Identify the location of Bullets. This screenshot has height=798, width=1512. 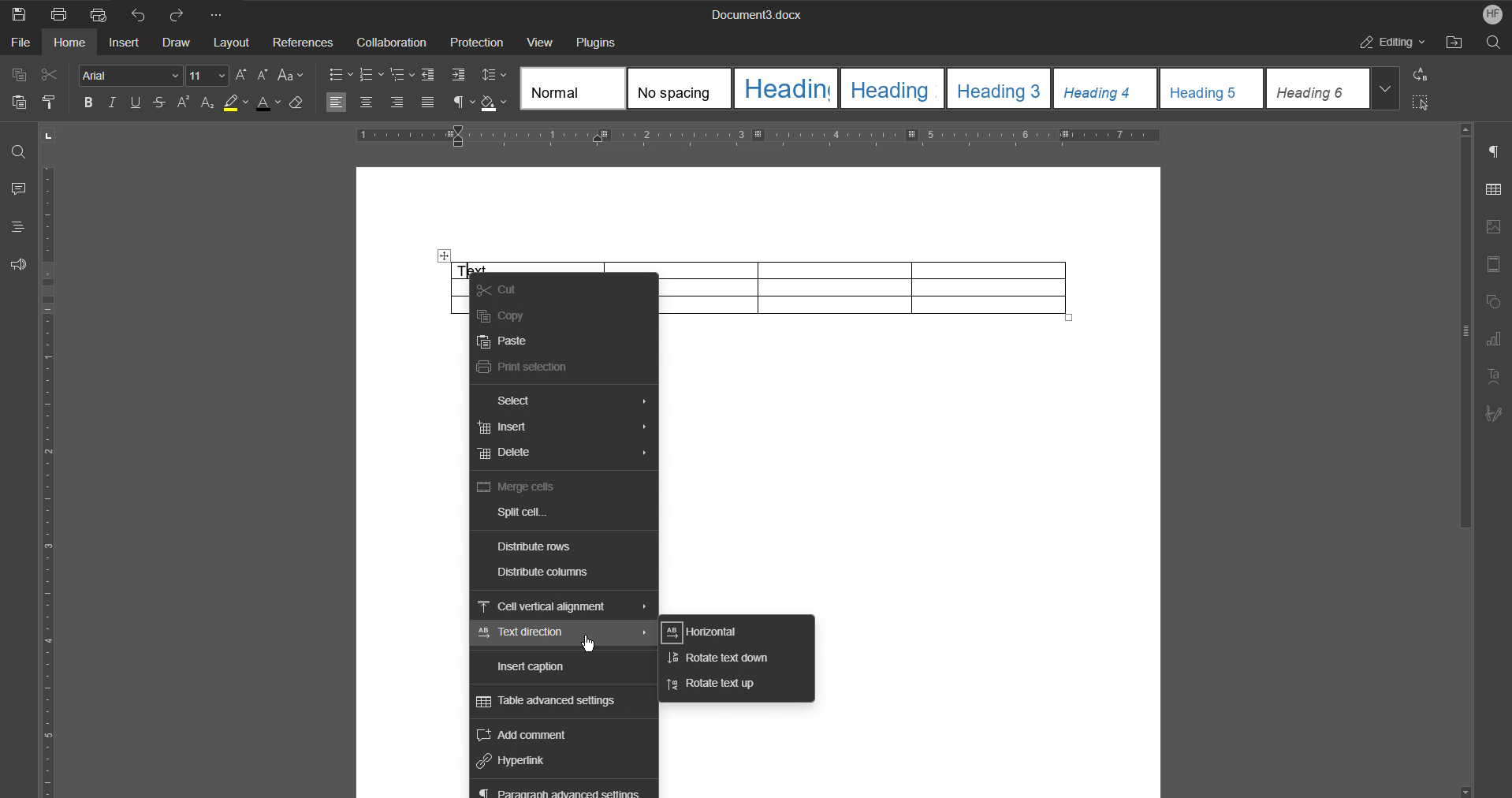
(339, 75).